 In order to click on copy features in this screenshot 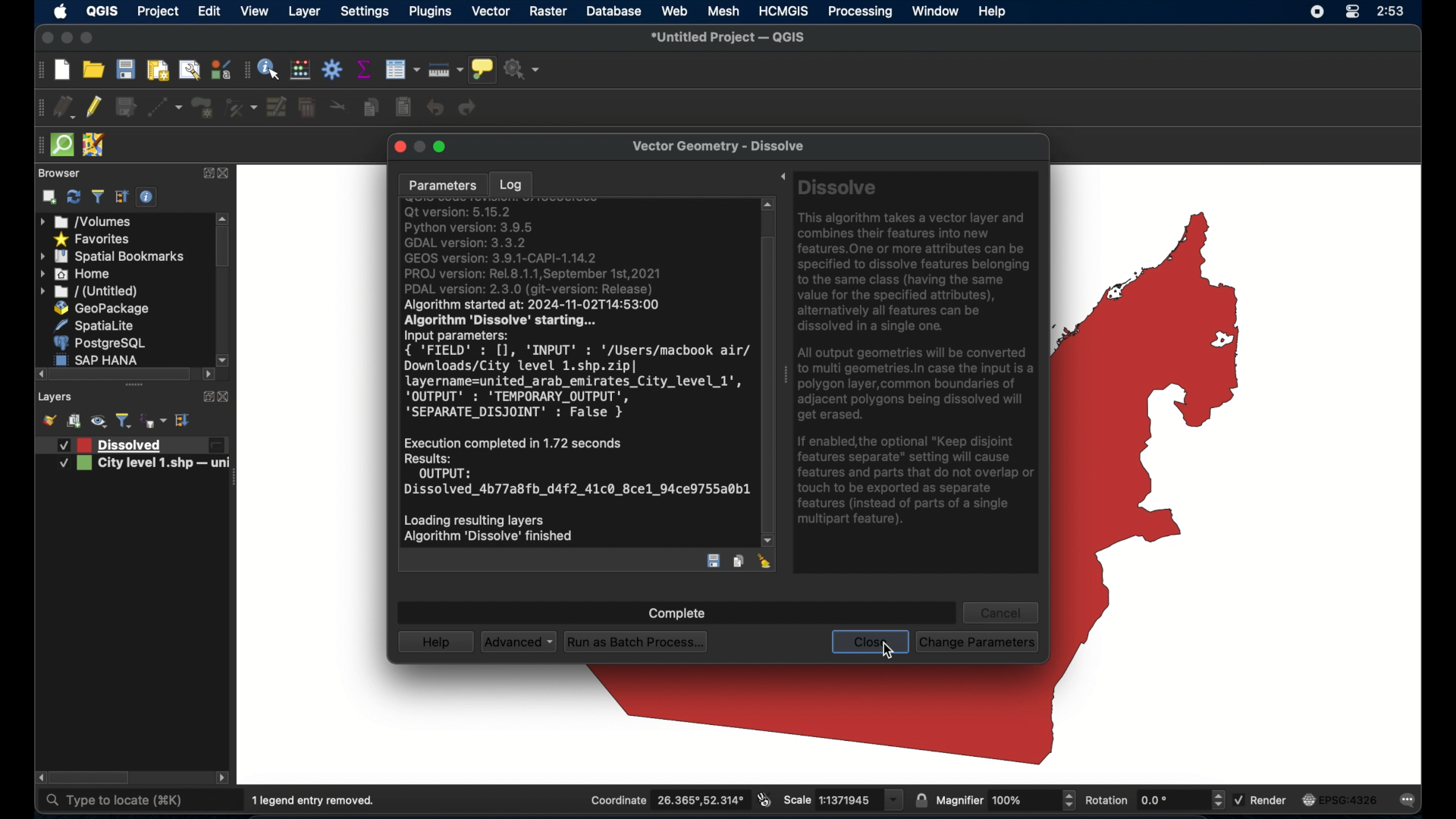, I will do `click(371, 107)`.